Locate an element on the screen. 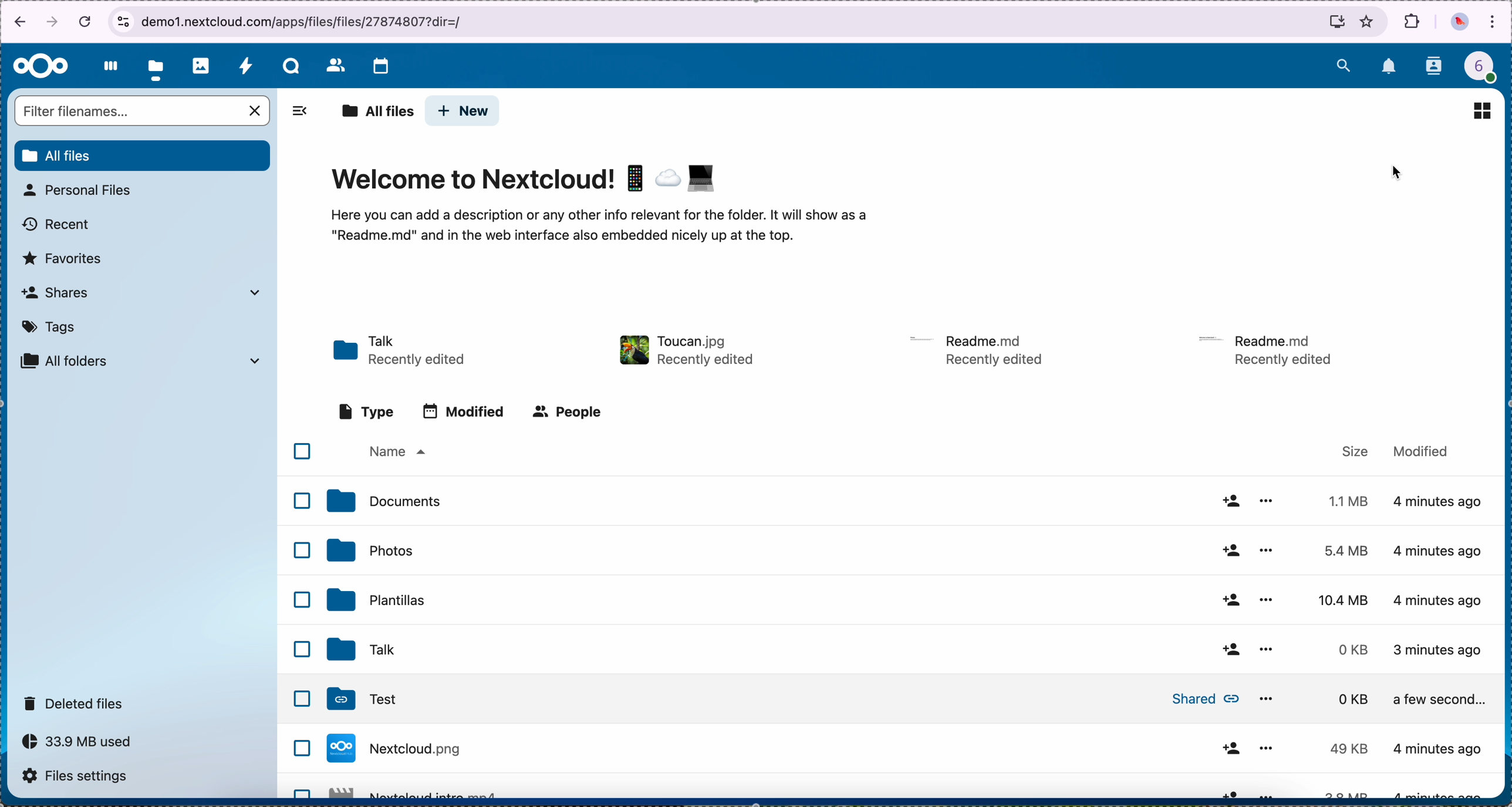 This screenshot has height=807, width=1512. URL is located at coordinates (308, 21).